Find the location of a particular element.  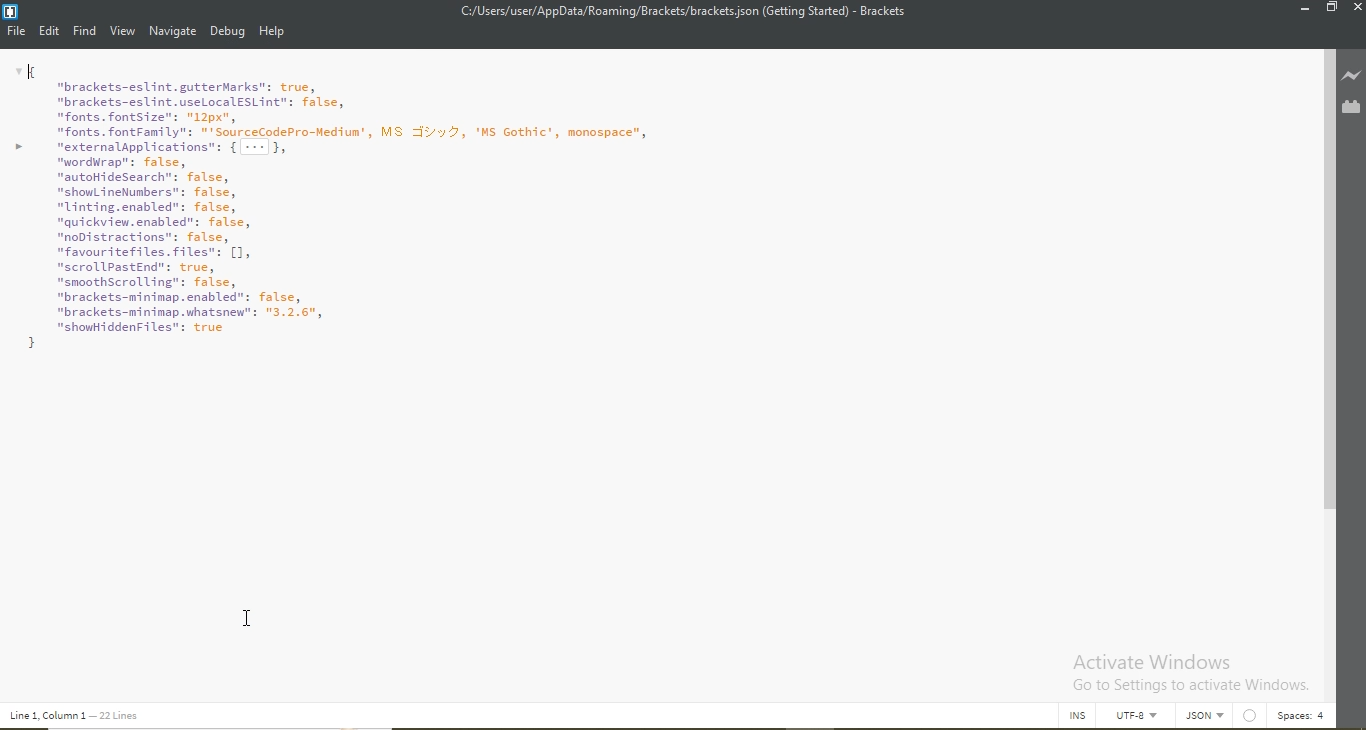

json is located at coordinates (1208, 716).